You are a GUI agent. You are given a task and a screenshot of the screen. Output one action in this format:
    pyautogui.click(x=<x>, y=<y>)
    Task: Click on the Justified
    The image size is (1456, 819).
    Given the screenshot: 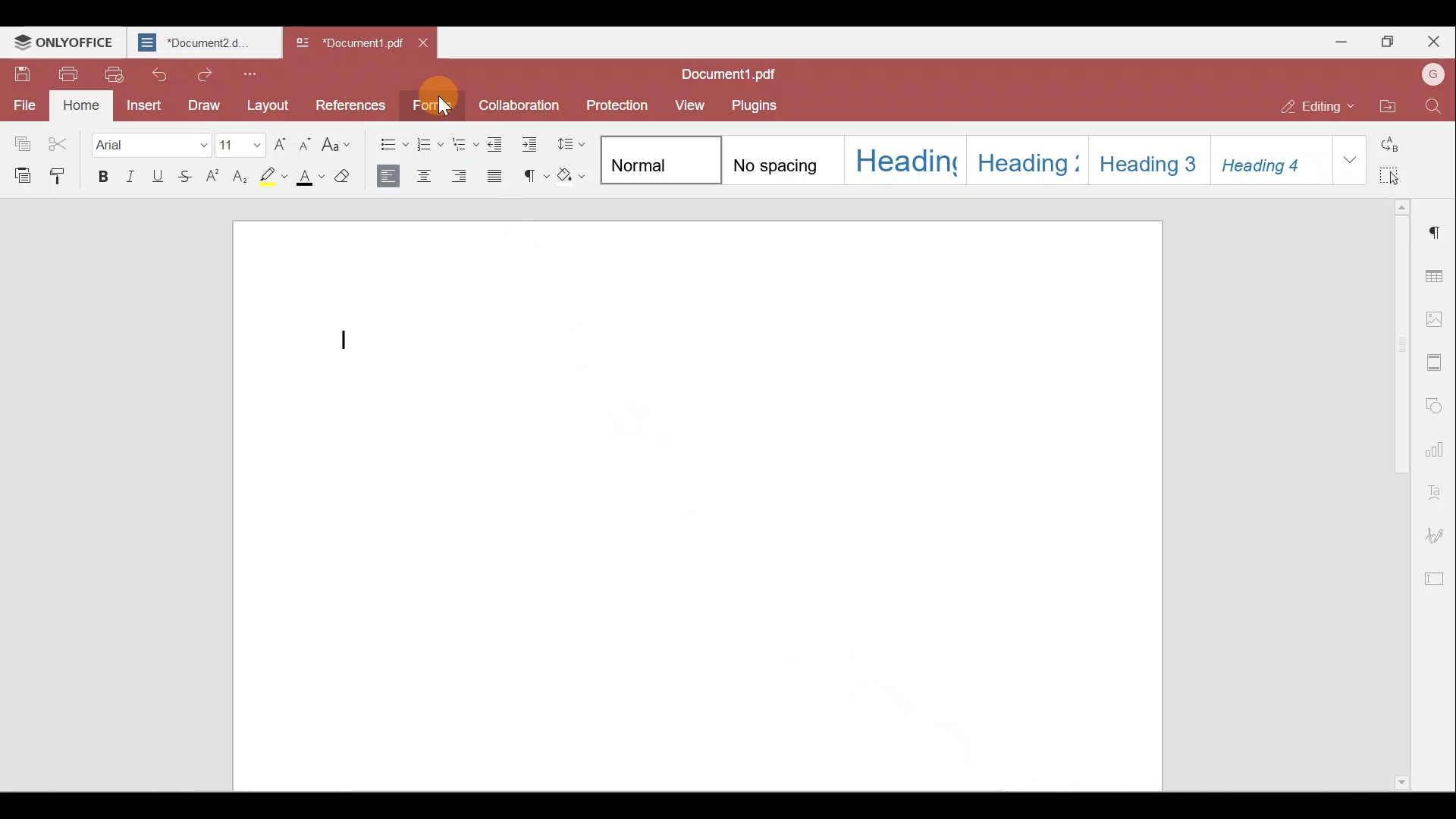 What is the action you would take?
    pyautogui.click(x=497, y=178)
    